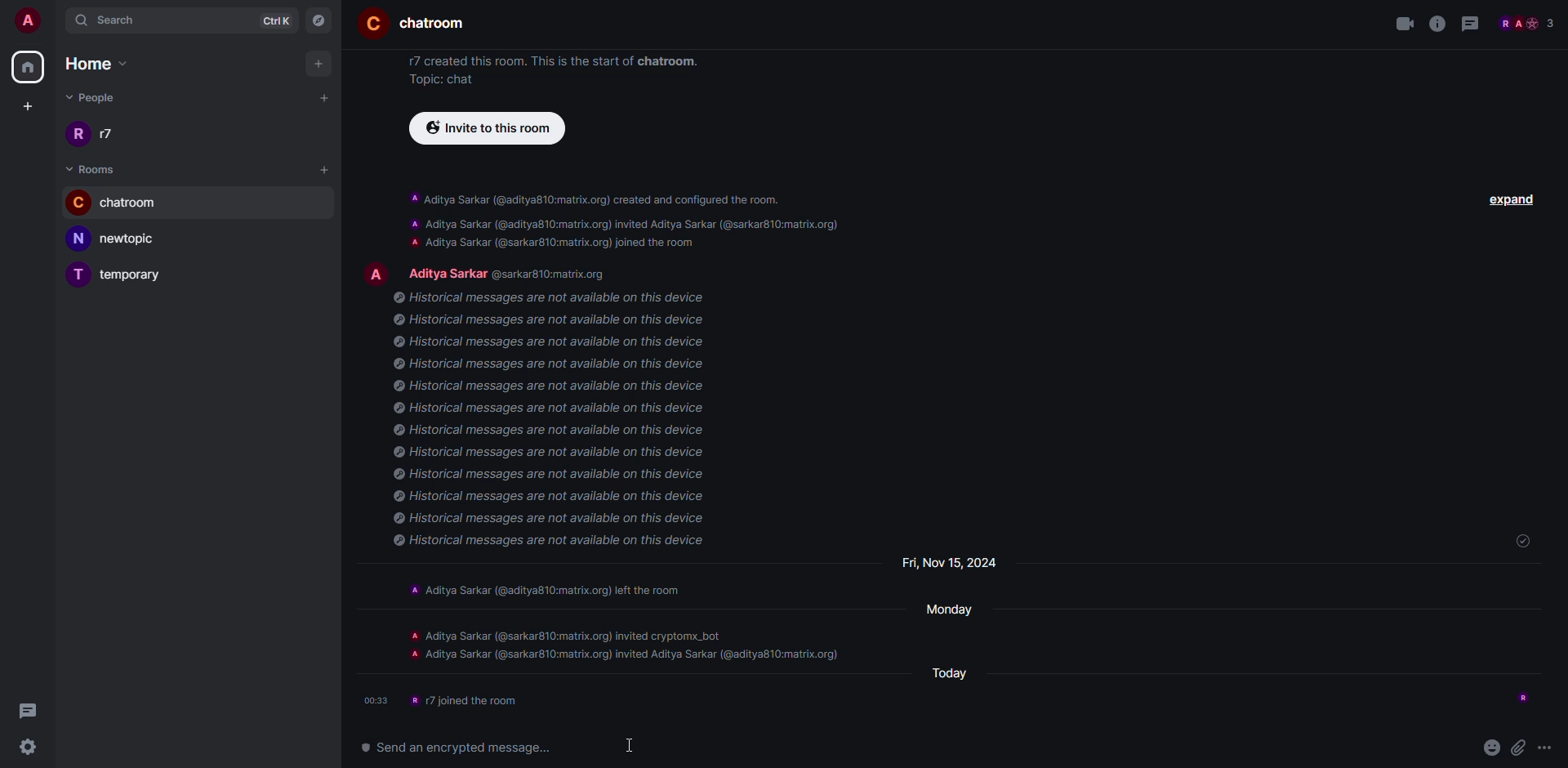  Describe the element at coordinates (1437, 24) in the screenshot. I see `info` at that location.